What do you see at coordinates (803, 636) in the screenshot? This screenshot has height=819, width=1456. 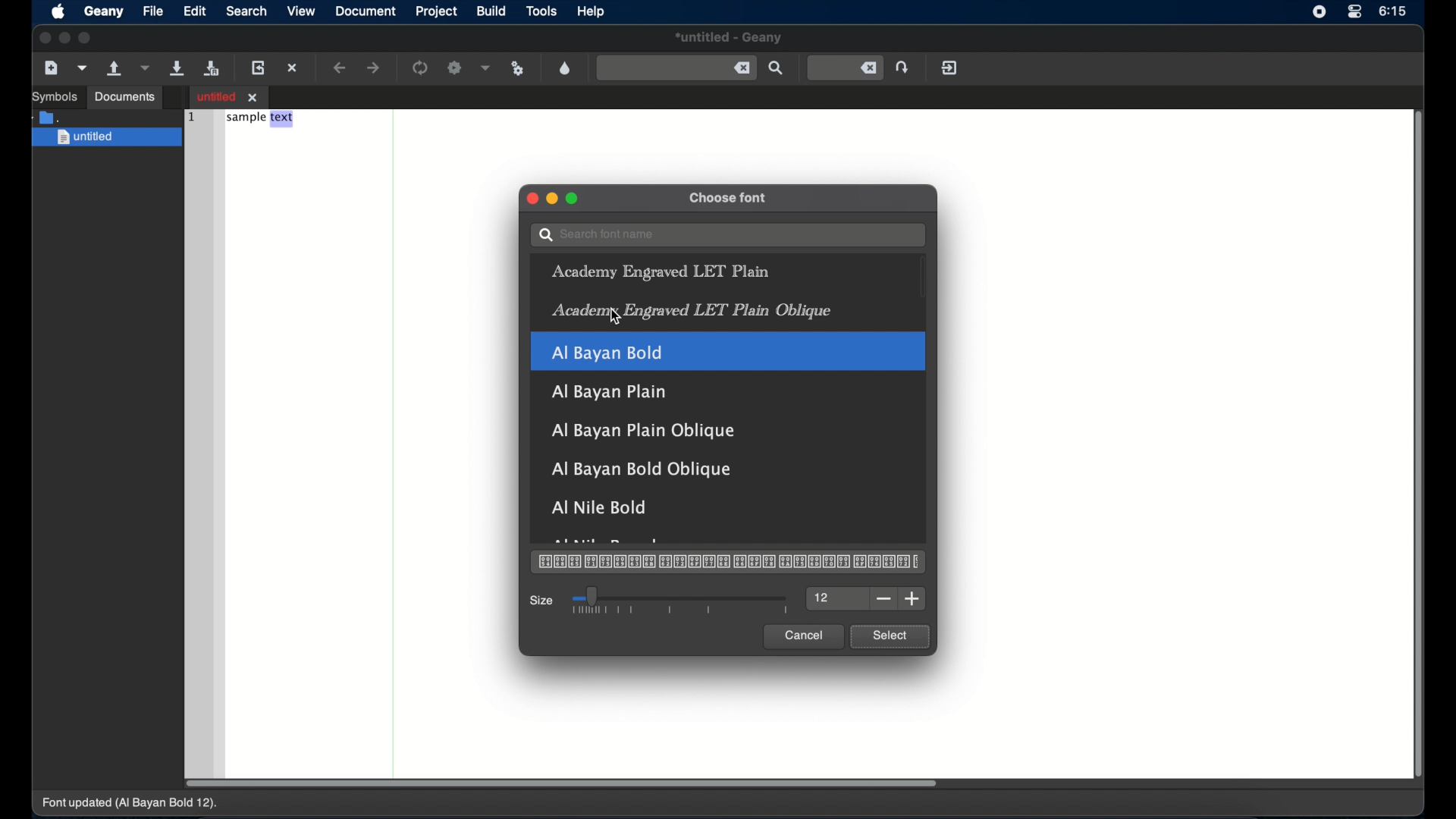 I see `cancel` at bounding box center [803, 636].